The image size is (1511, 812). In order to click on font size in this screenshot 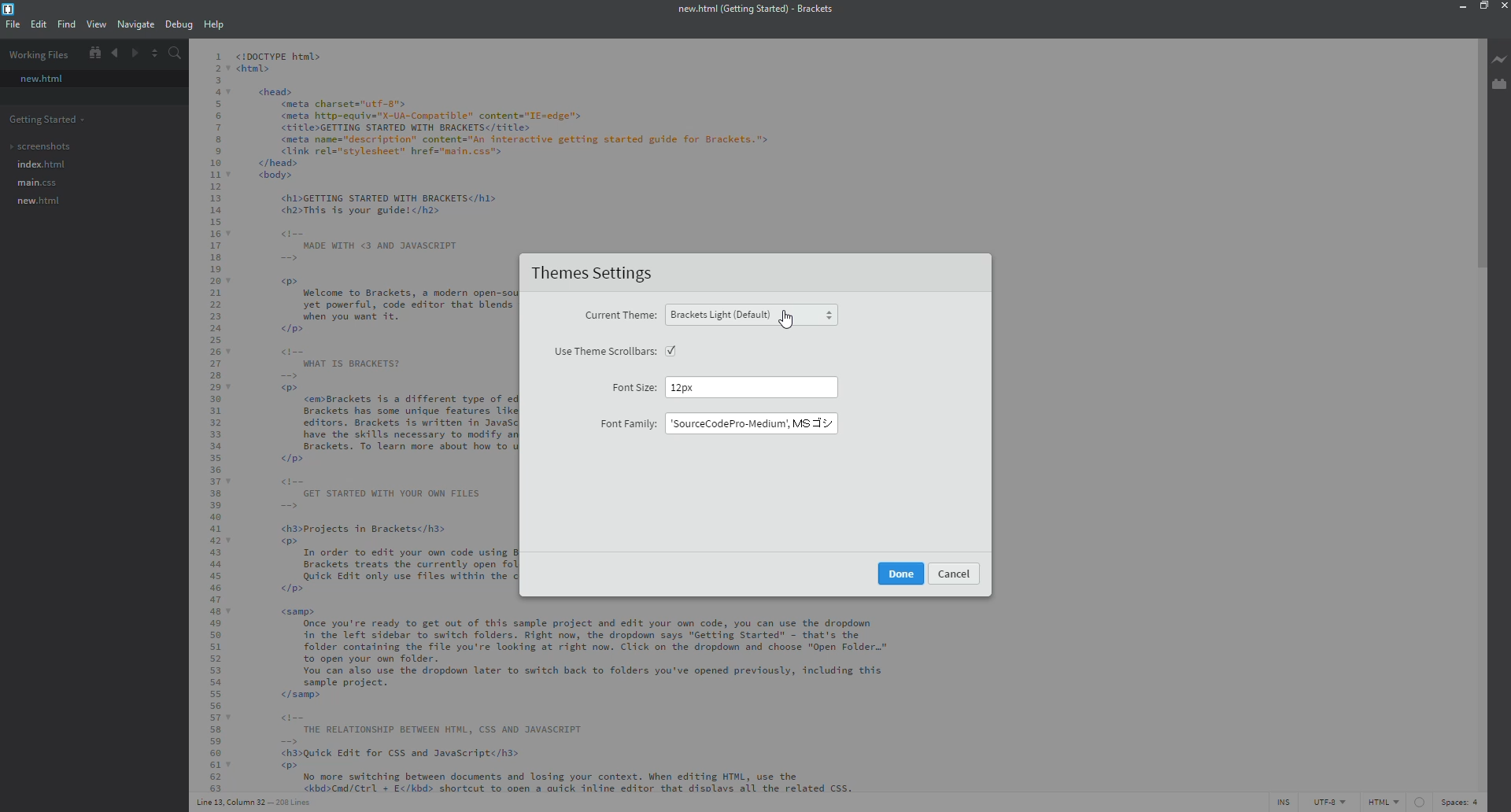, I will do `click(636, 386)`.